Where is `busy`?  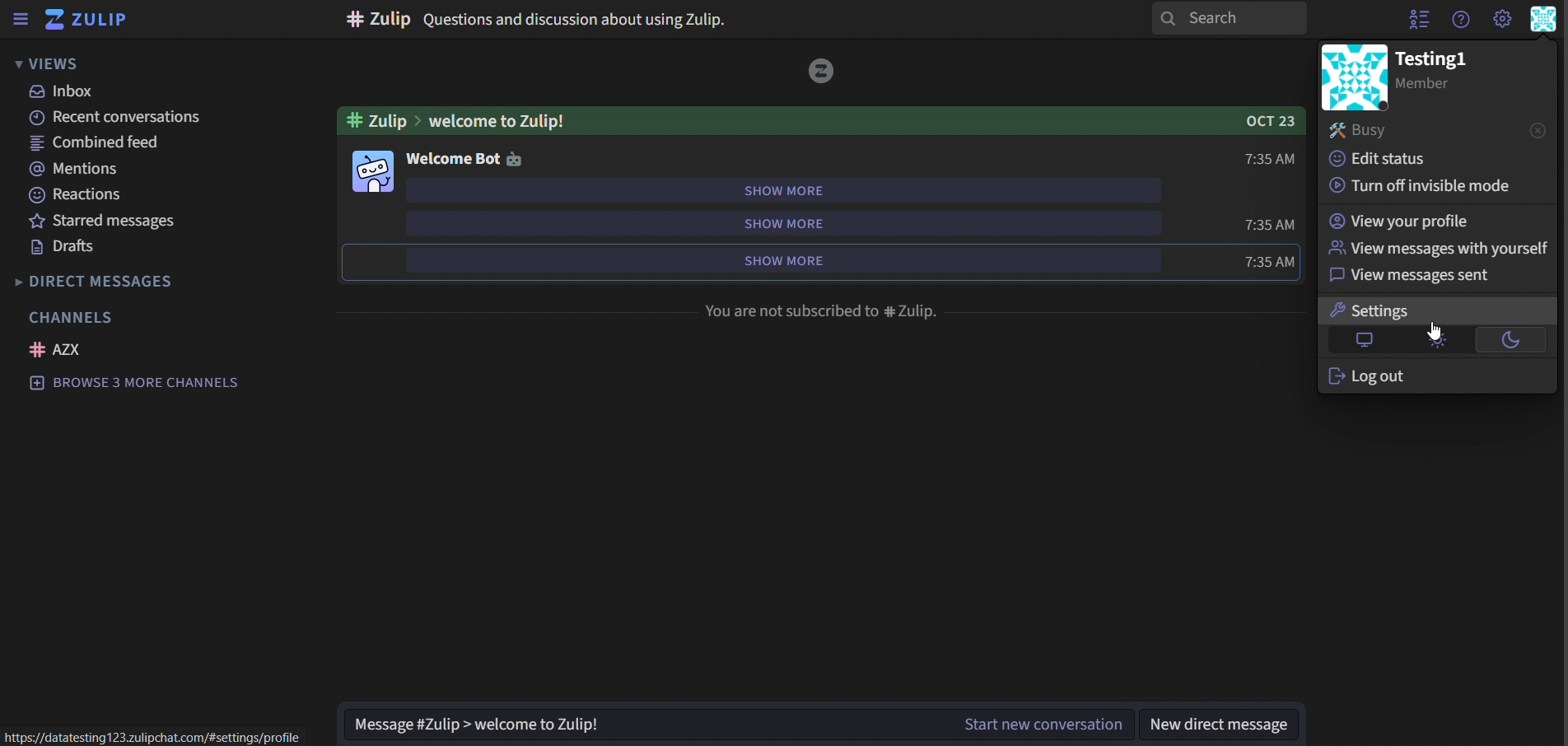
busy is located at coordinates (1363, 129).